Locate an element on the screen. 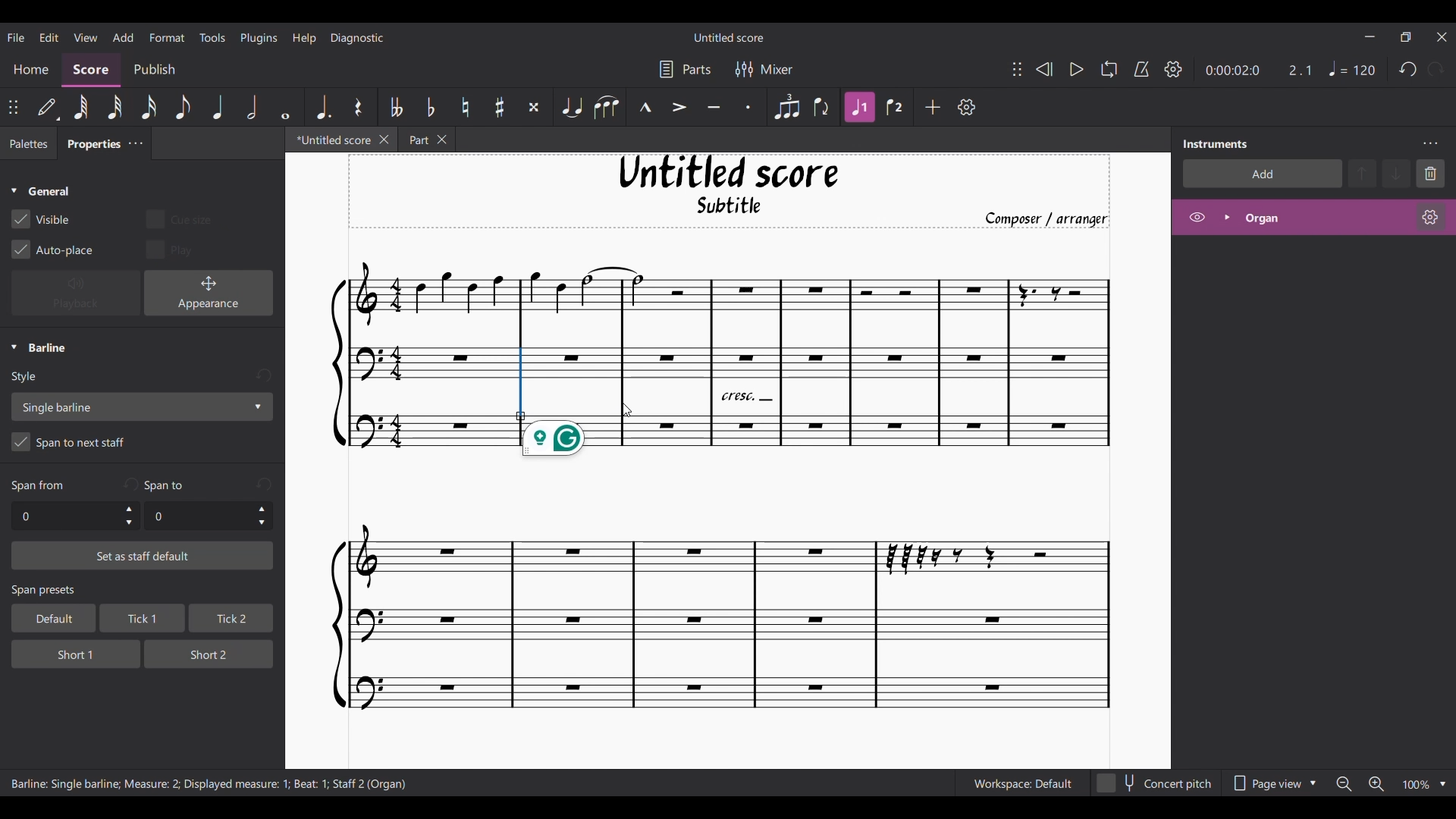 This screenshot has height=819, width=1456. Tie is located at coordinates (571, 107).